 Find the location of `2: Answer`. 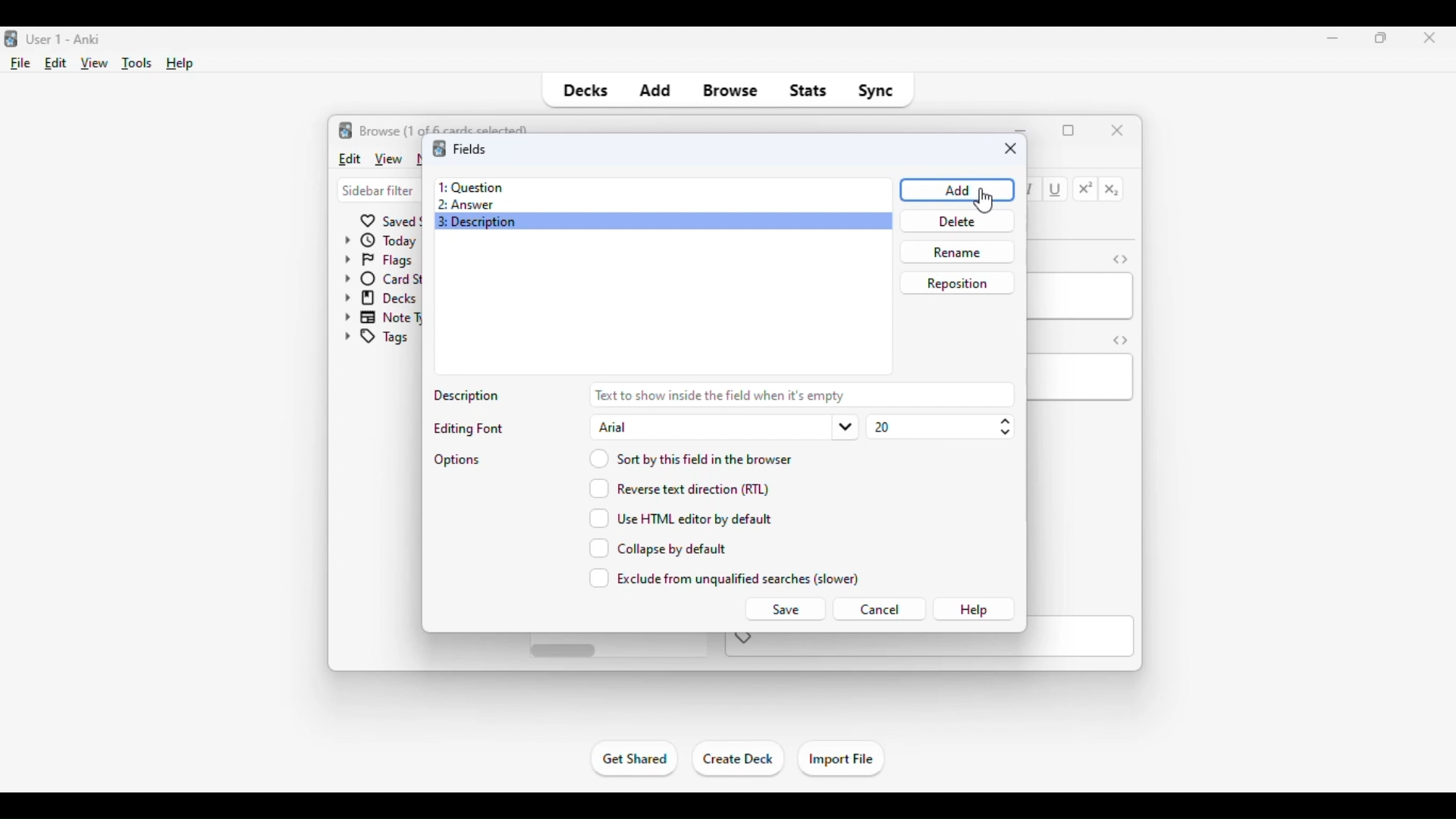

2: Answer is located at coordinates (466, 206).